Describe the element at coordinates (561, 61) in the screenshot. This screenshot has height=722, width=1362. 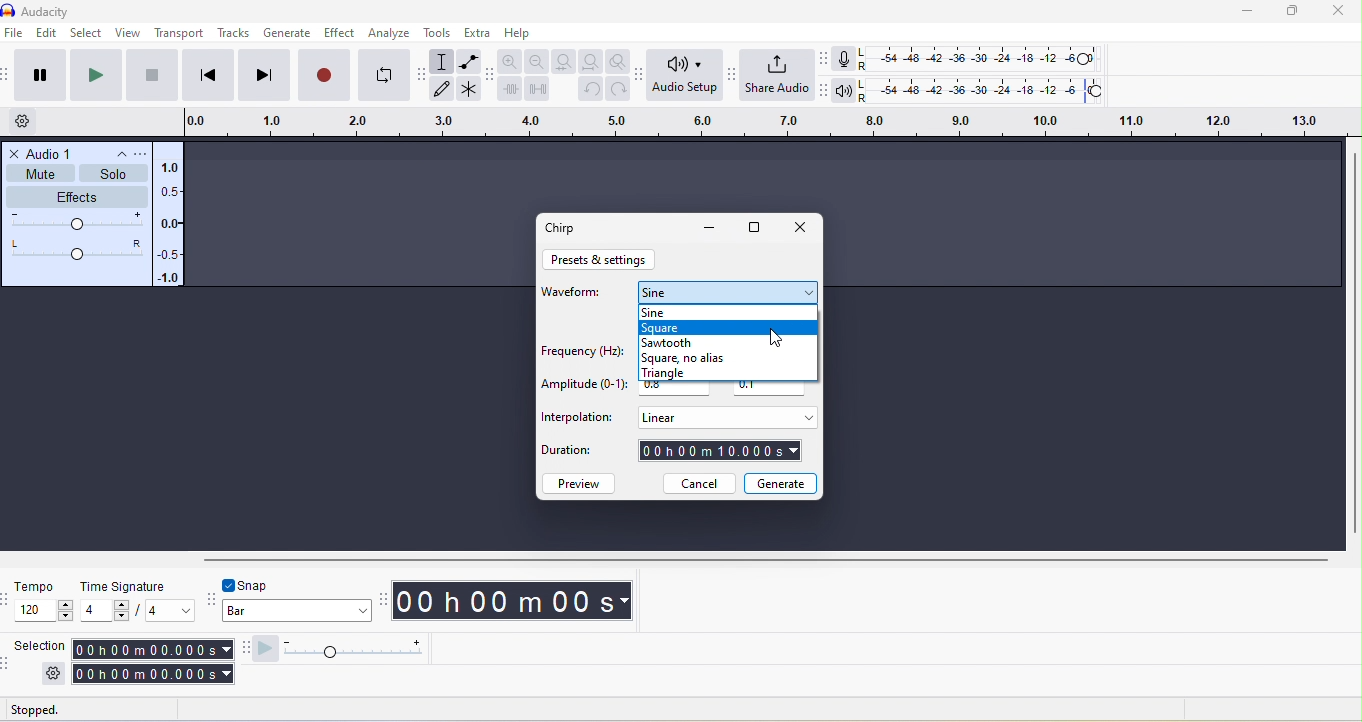
I see `fit selection to width` at that location.